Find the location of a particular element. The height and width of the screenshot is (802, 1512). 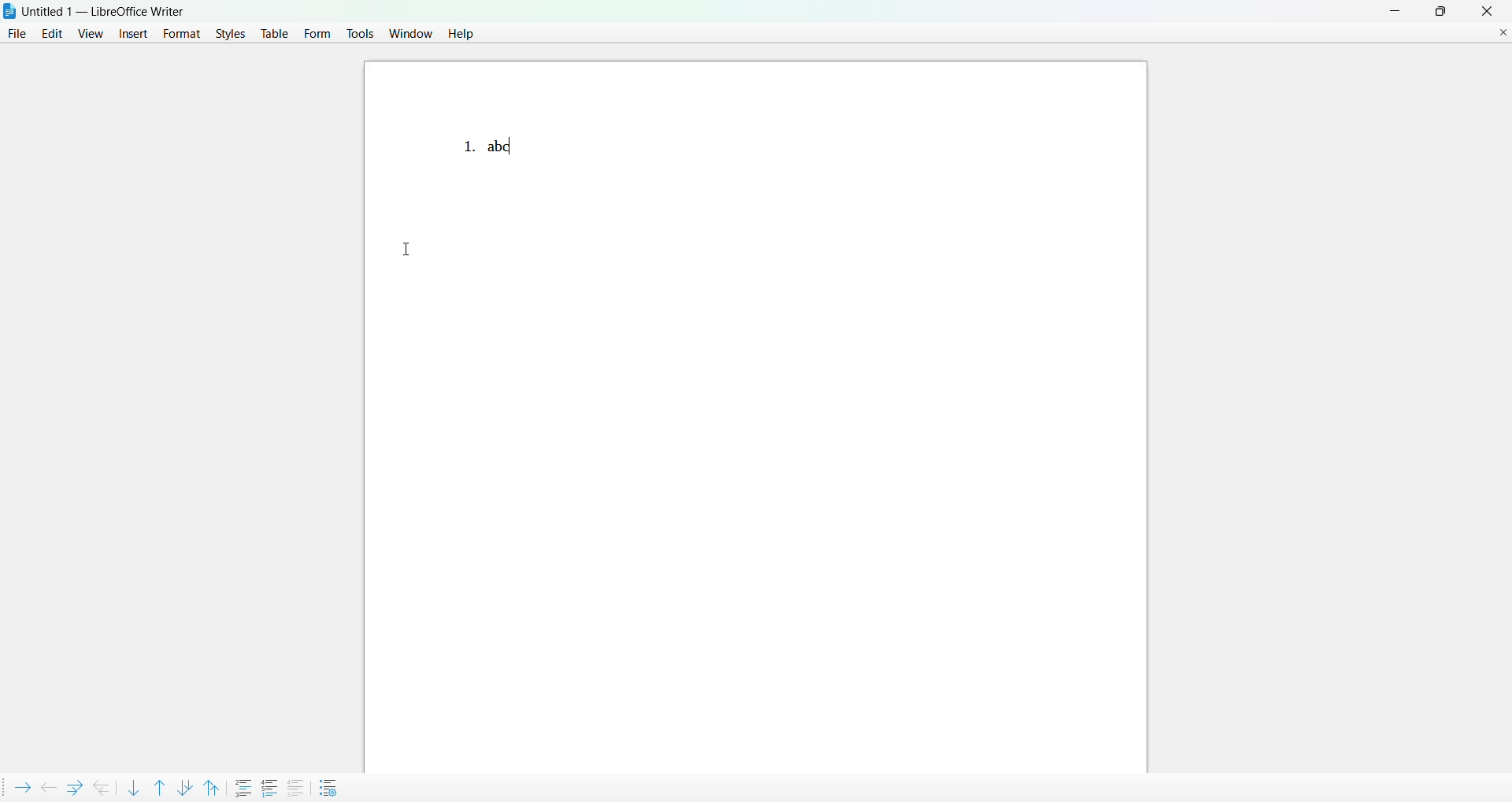

file is located at coordinates (17, 35).